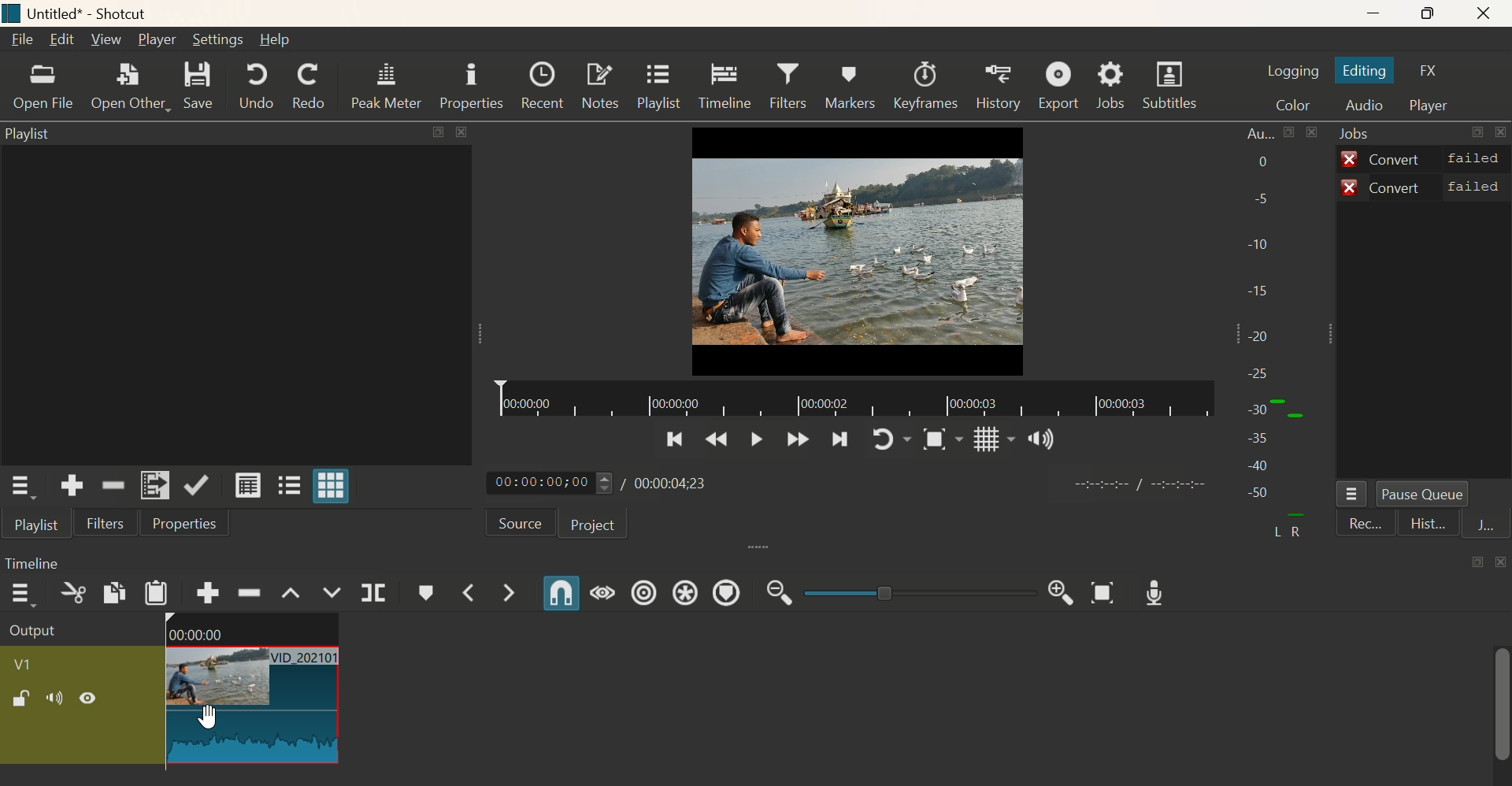  What do you see at coordinates (333, 593) in the screenshot?
I see `Overwrite` at bounding box center [333, 593].